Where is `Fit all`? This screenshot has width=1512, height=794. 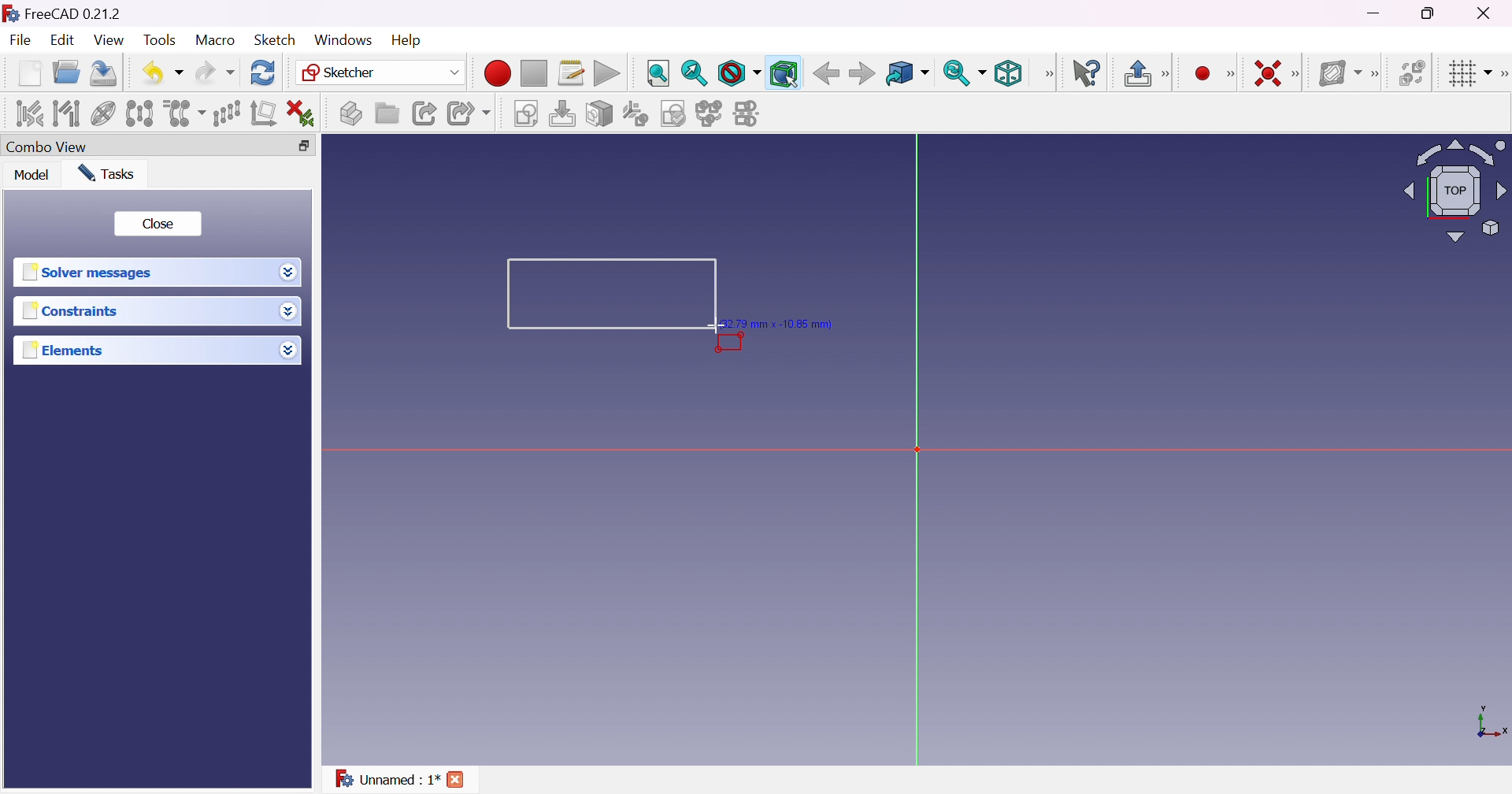
Fit all is located at coordinates (658, 72).